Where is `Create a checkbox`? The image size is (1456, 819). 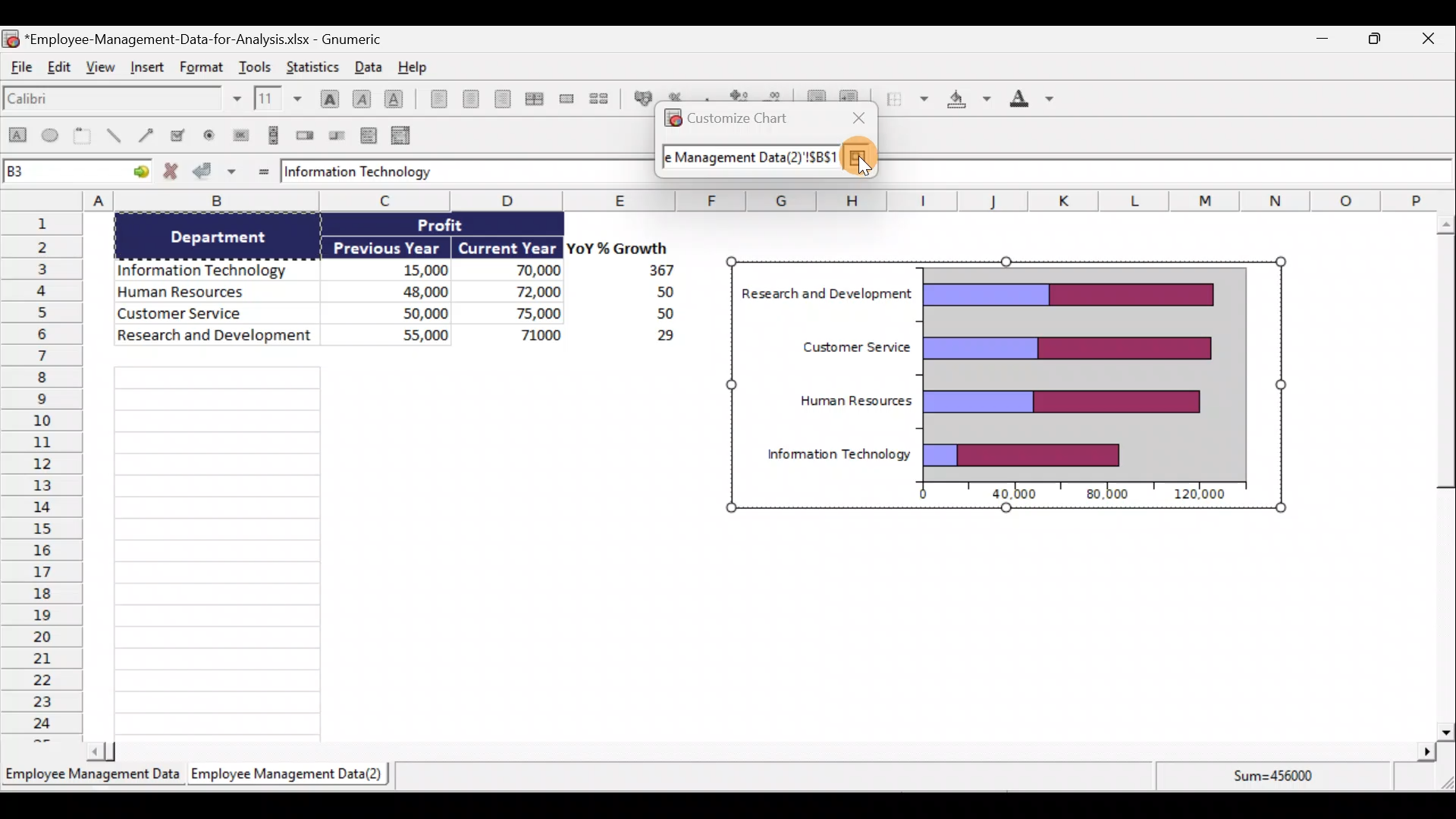 Create a checkbox is located at coordinates (180, 134).